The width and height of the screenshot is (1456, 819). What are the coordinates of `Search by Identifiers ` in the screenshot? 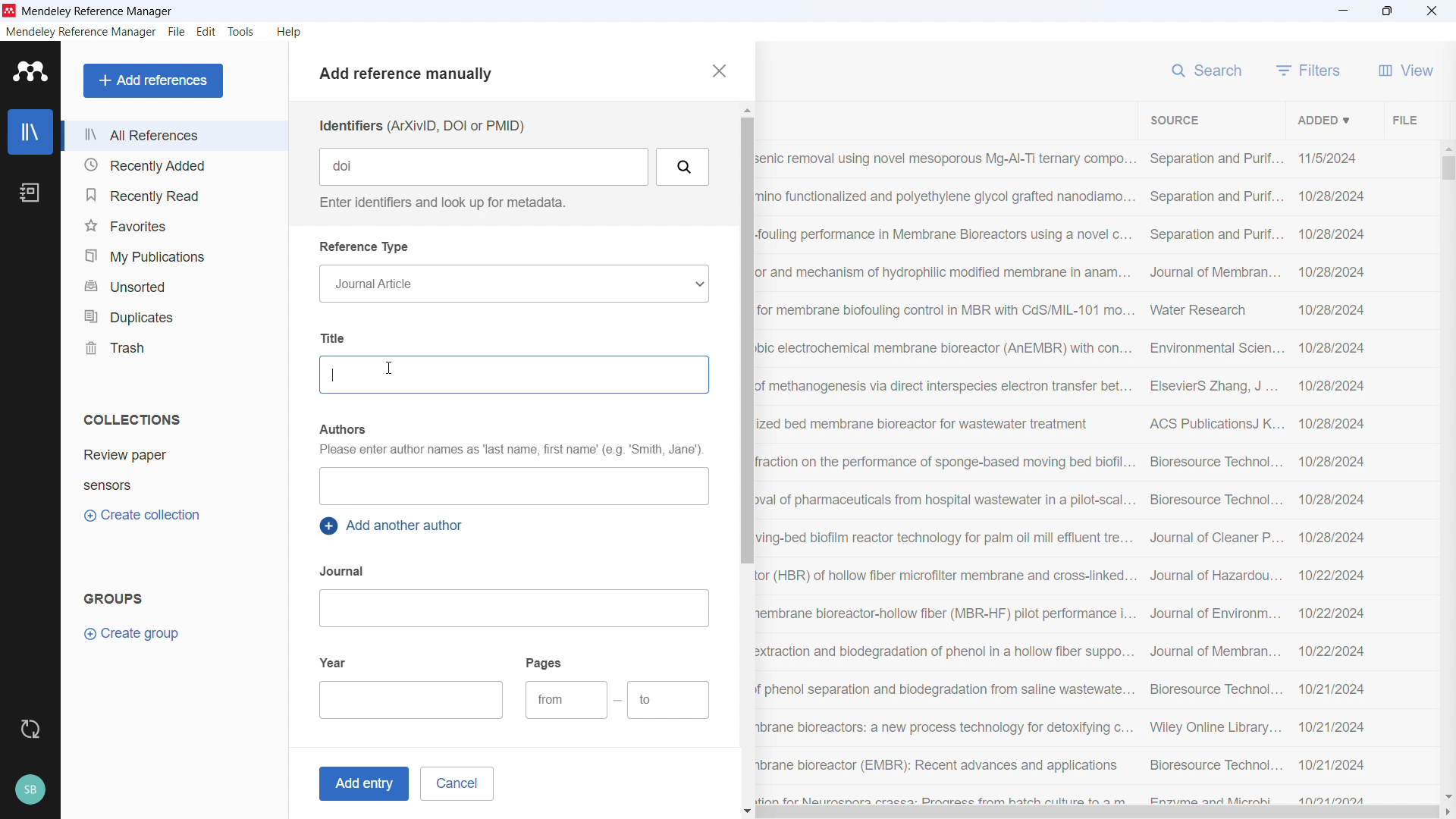 It's located at (684, 167).